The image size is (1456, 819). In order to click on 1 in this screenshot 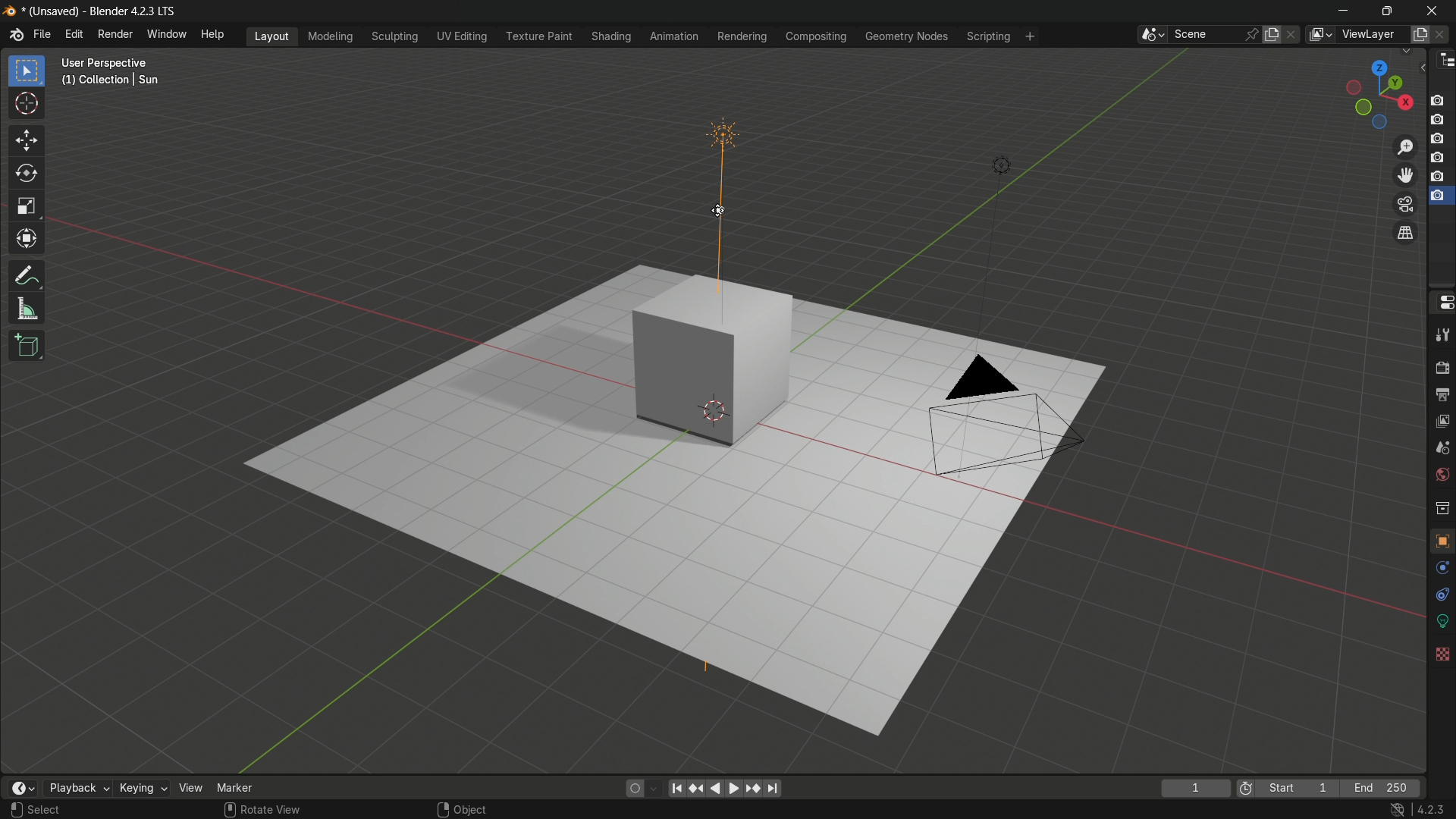, I will do `click(1197, 787)`.